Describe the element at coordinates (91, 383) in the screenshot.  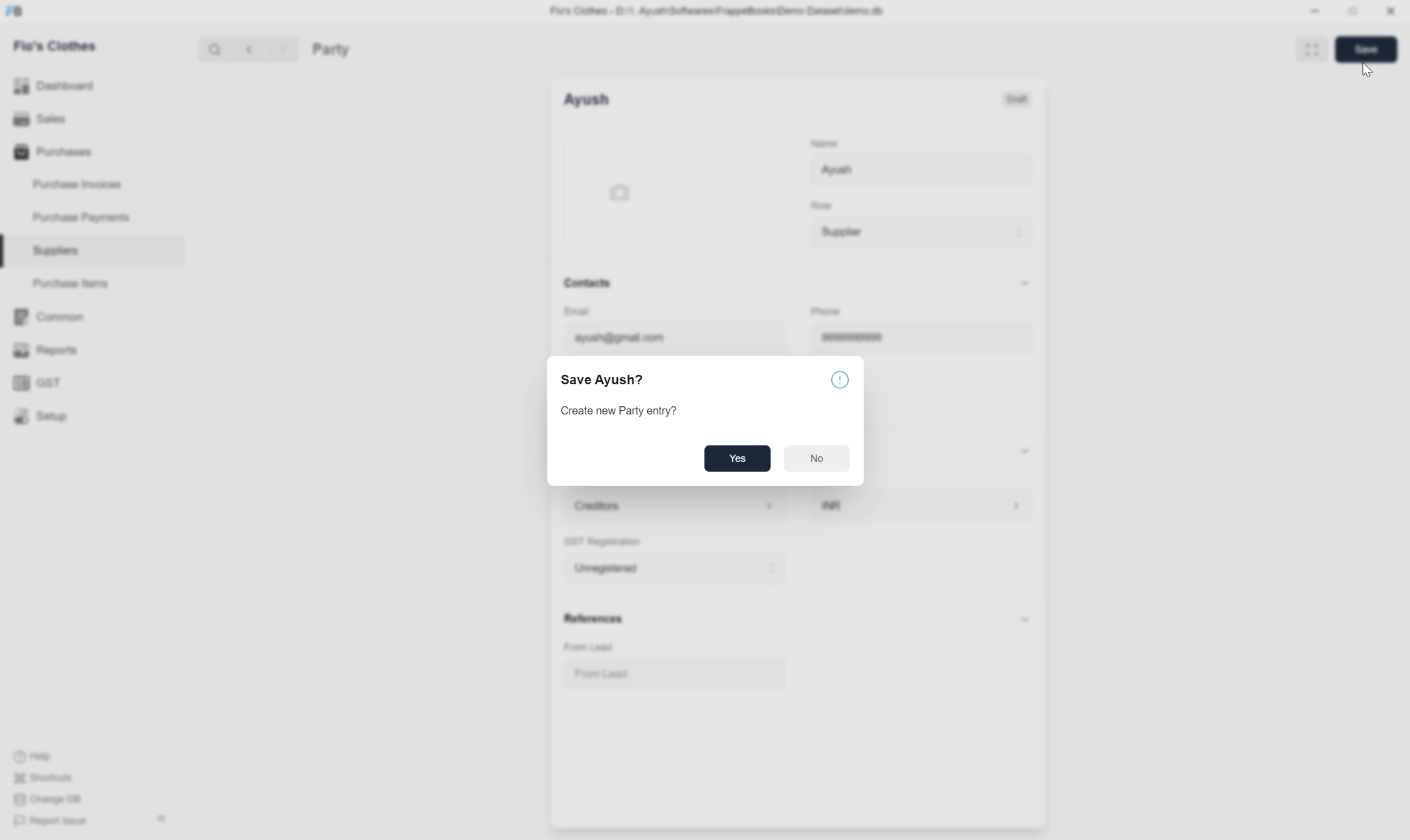
I see `GST` at that location.